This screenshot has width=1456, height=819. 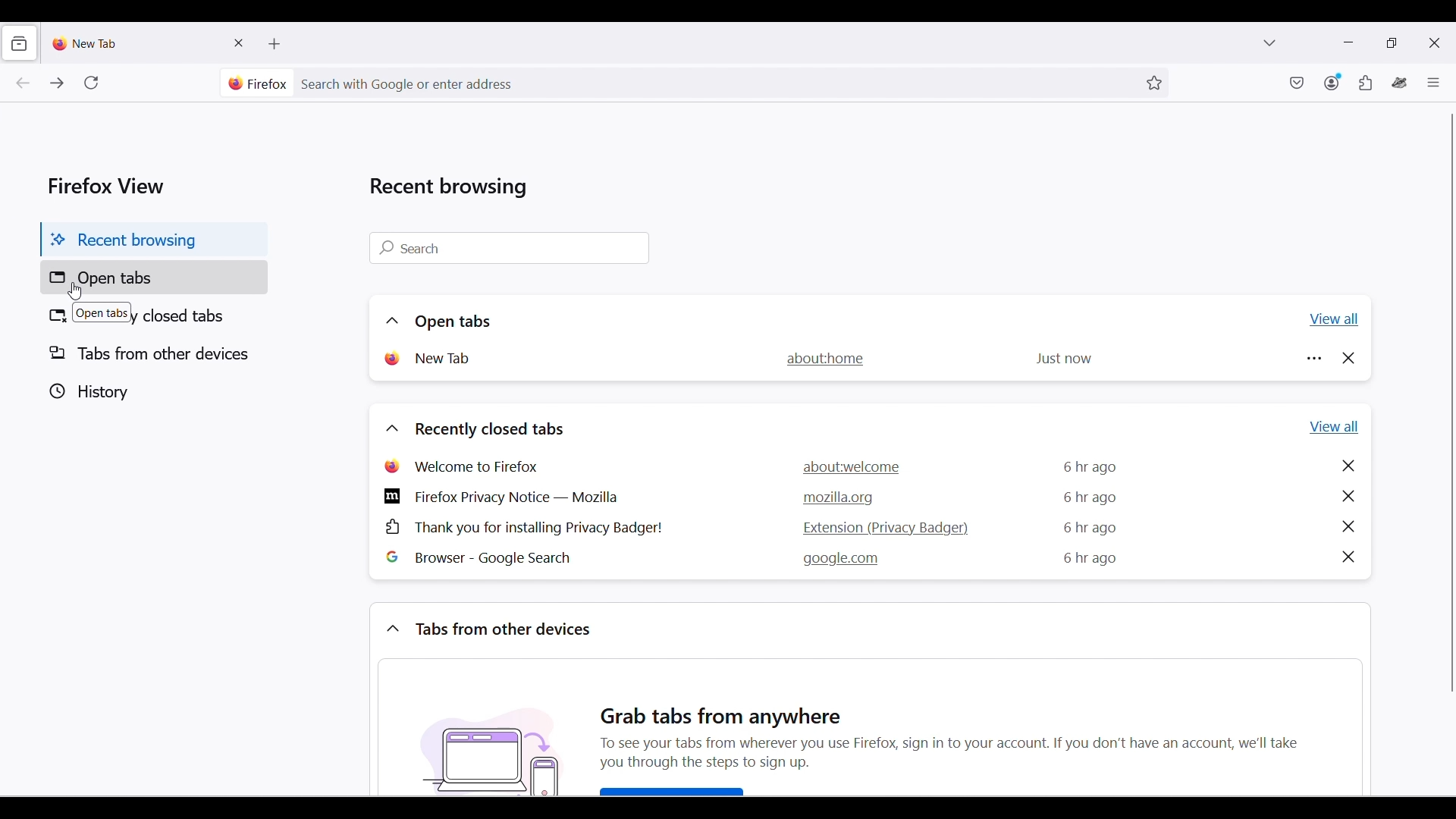 What do you see at coordinates (1434, 42) in the screenshot?
I see `Close browser` at bounding box center [1434, 42].